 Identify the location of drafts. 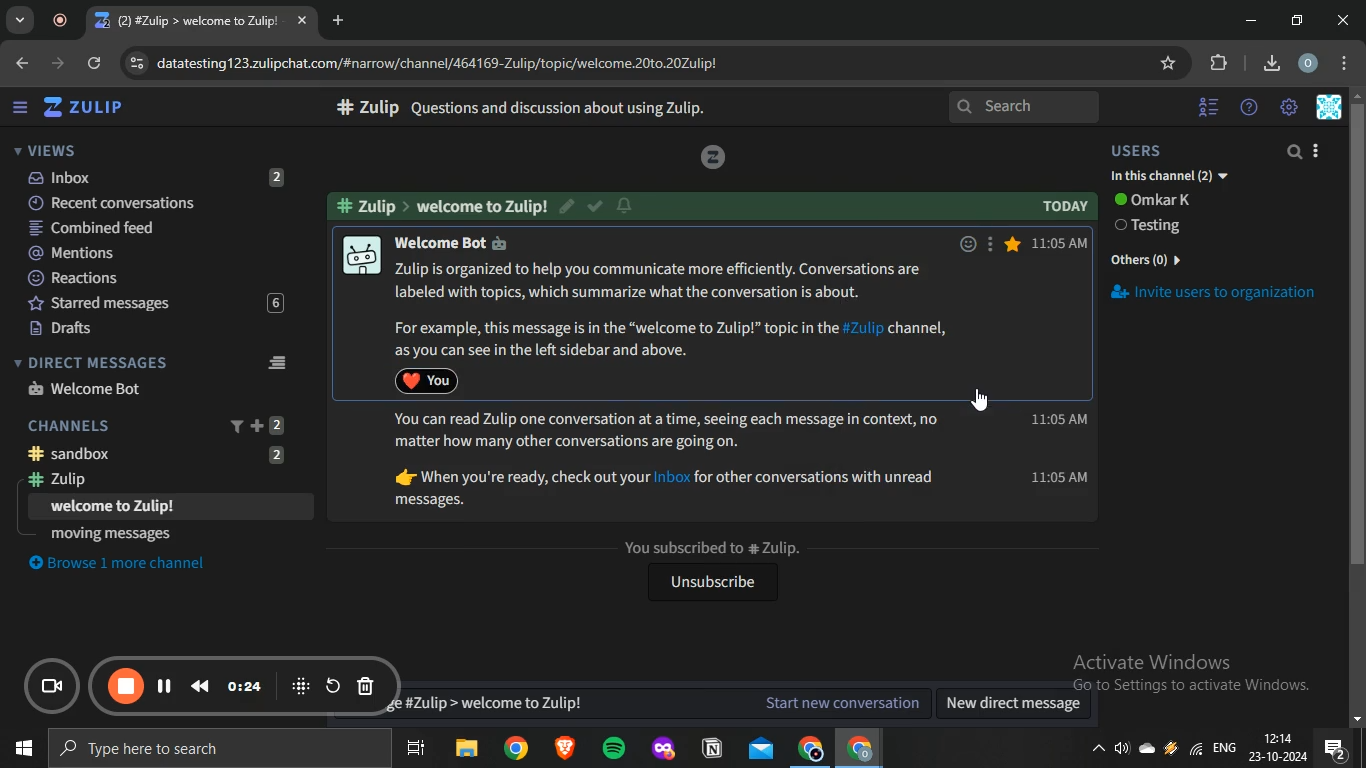
(151, 329).